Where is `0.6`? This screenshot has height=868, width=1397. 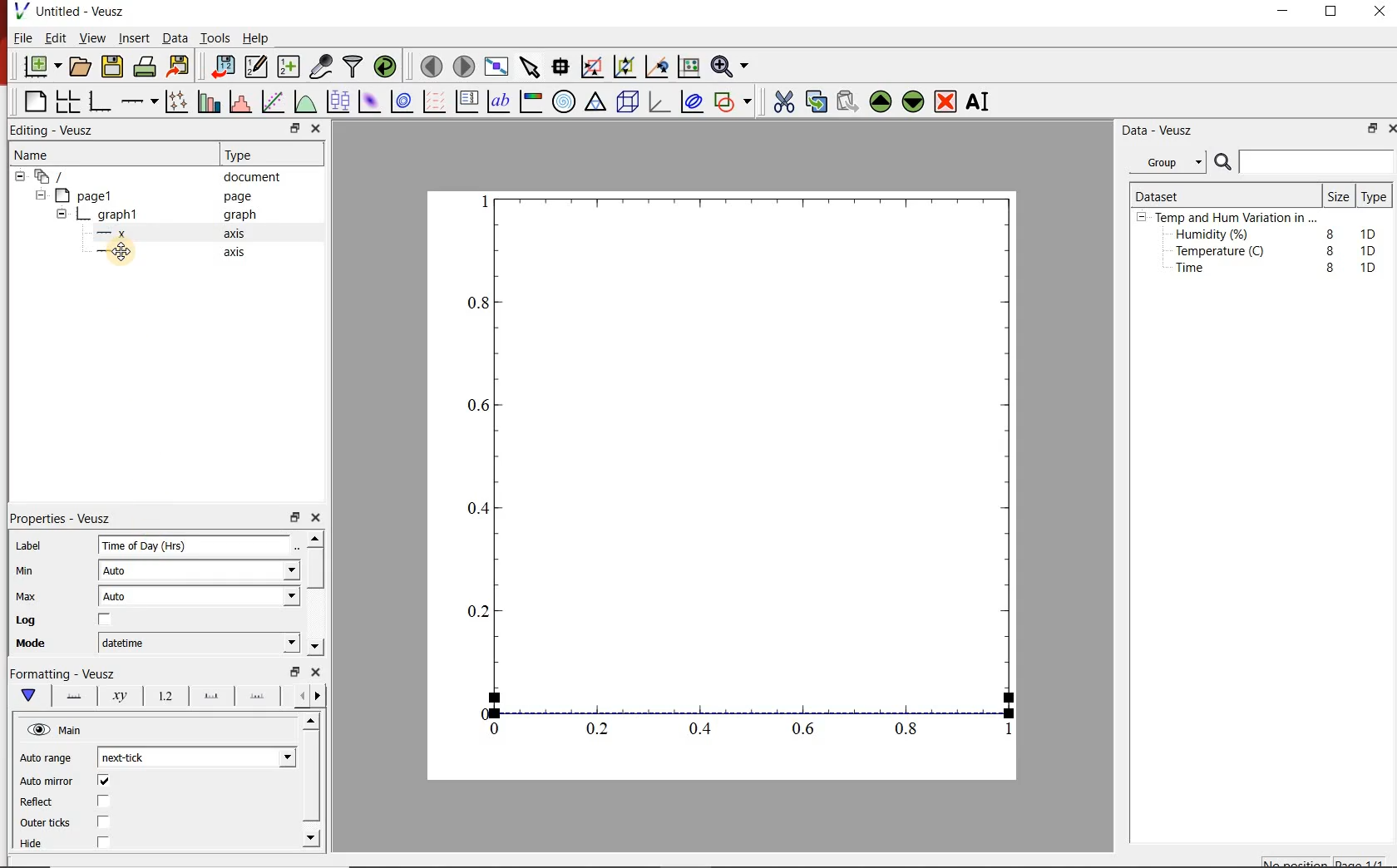
0.6 is located at coordinates (477, 410).